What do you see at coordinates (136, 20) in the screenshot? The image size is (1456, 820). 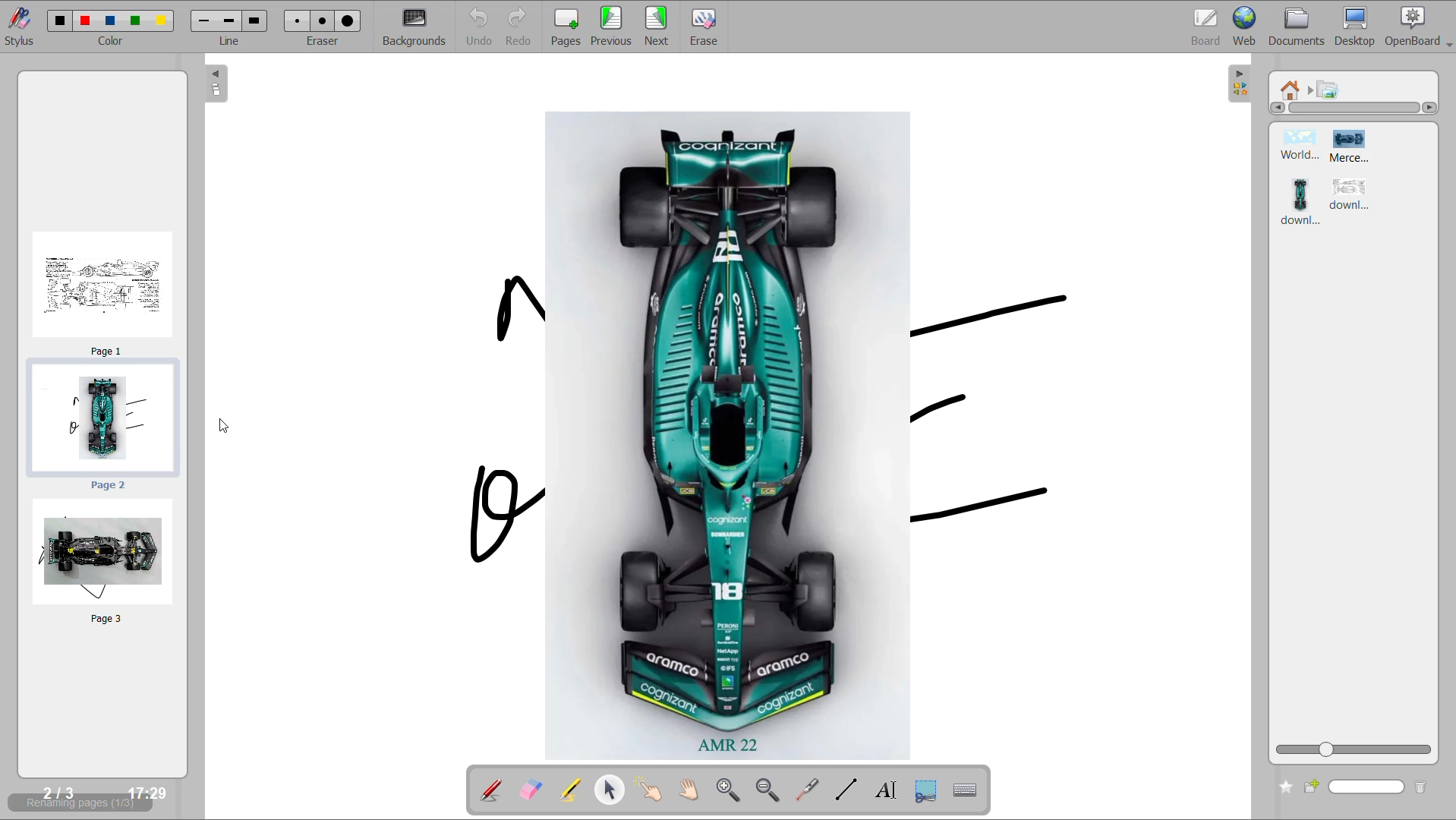 I see `color 4` at bounding box center [136, 20].